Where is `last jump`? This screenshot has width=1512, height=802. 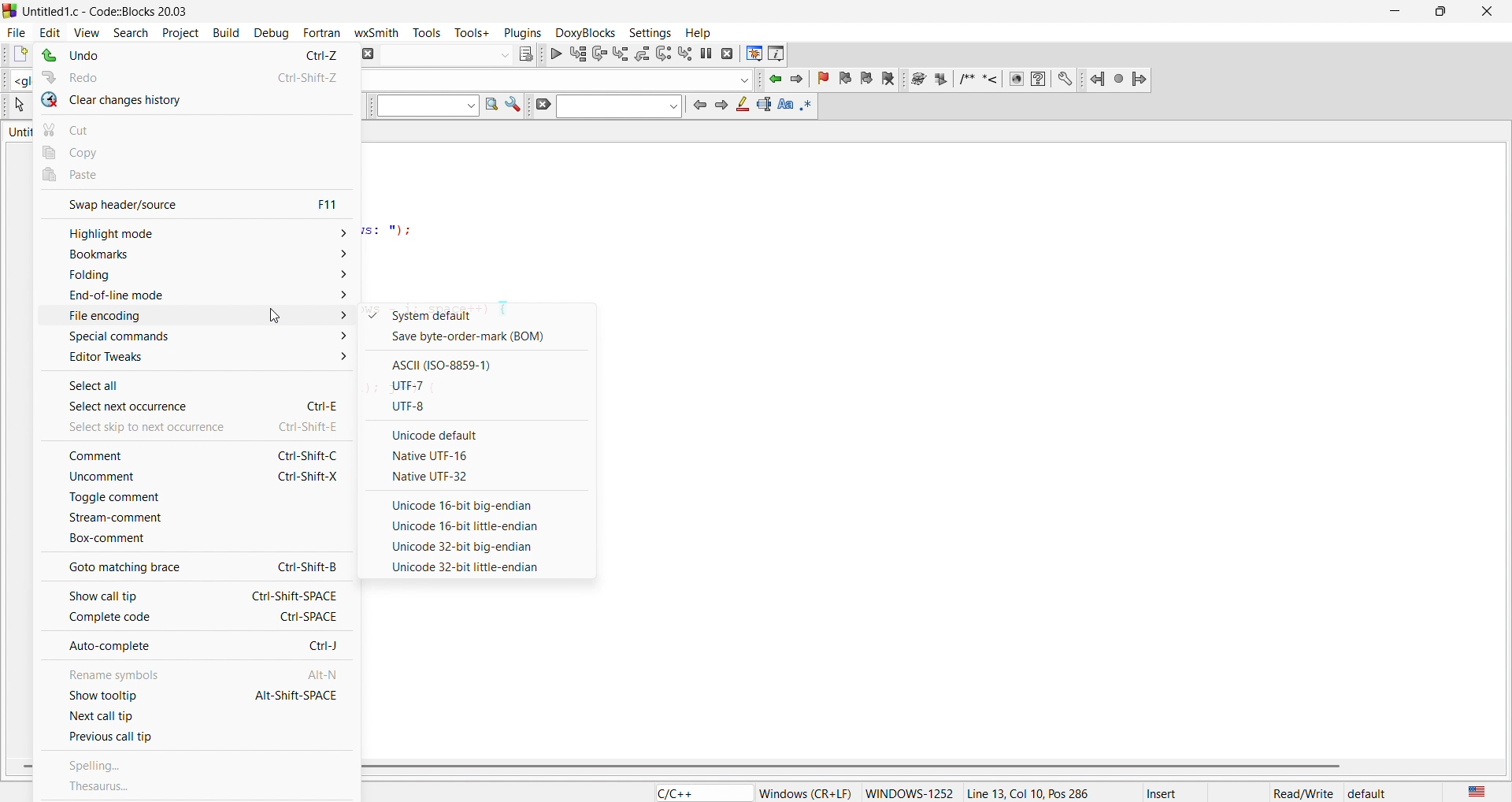 last jump is located at coordinates (1121, 80).